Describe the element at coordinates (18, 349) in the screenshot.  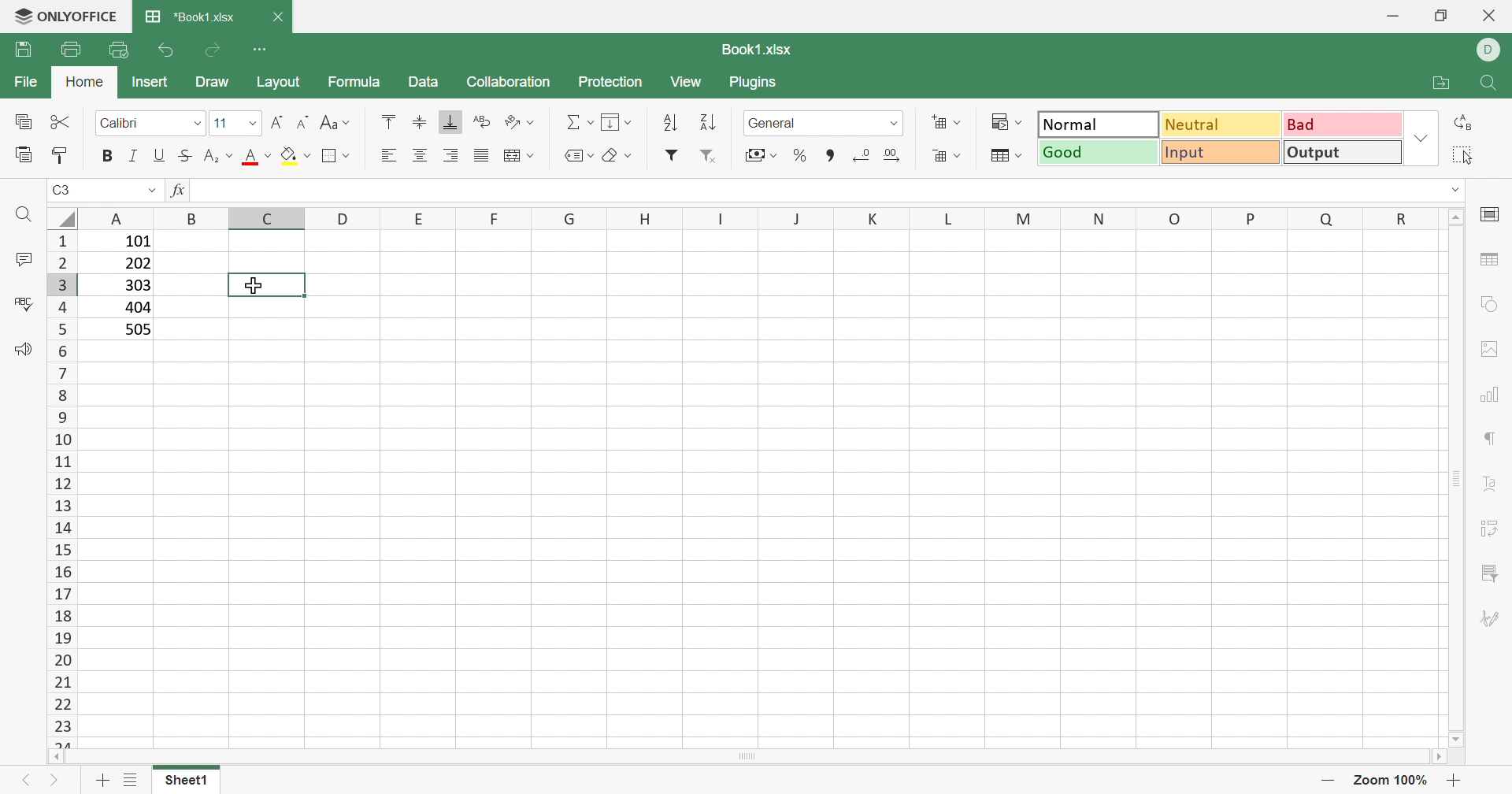
I see `Feedback and support` at that location.